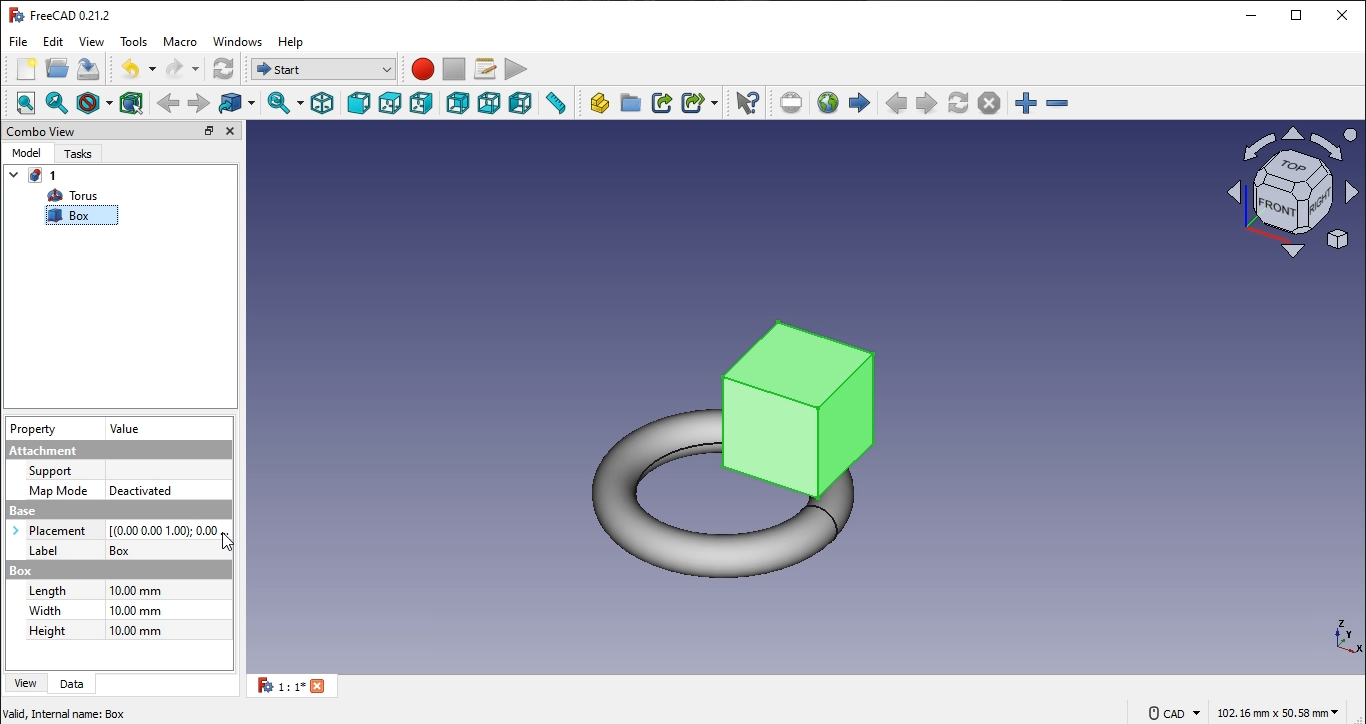 The width and height of the screenshot is (1366, 724). What do you see at coordinates (223, 68) in the screenshot?
I see `workbench` at bounding box center [223, 68].